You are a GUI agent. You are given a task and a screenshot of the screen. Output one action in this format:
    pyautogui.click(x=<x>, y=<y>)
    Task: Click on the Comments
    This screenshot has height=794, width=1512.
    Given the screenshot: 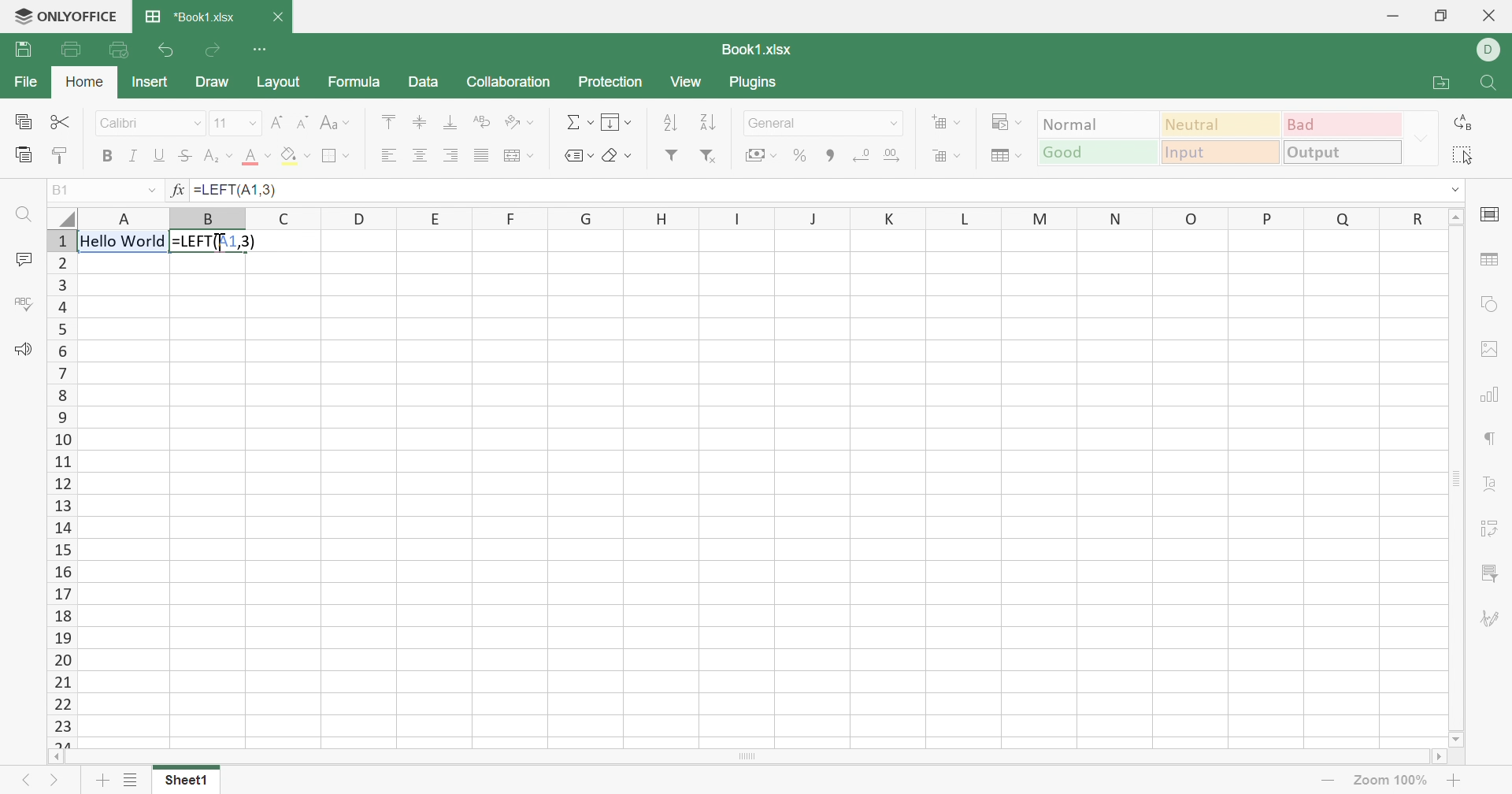 What is the action you would take?
    pyautogui.click(x=19, y=260)
    